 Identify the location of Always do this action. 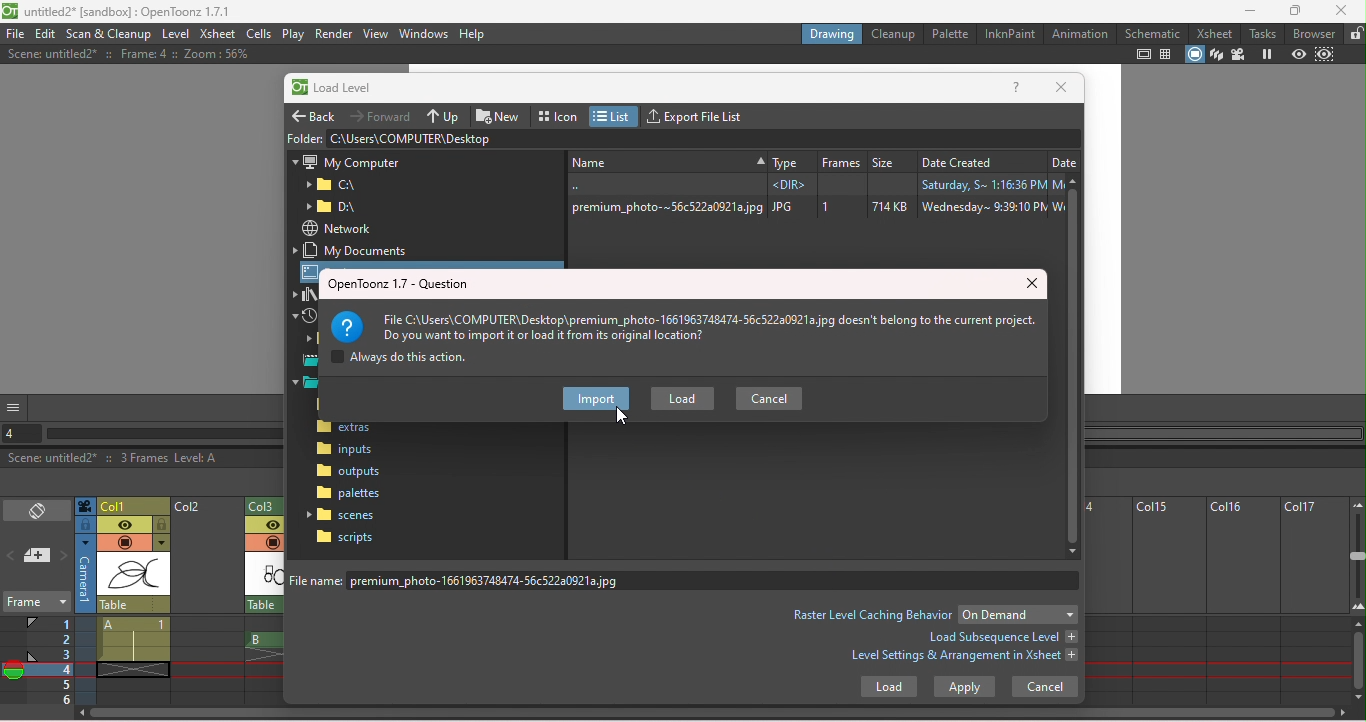
(399, 359).